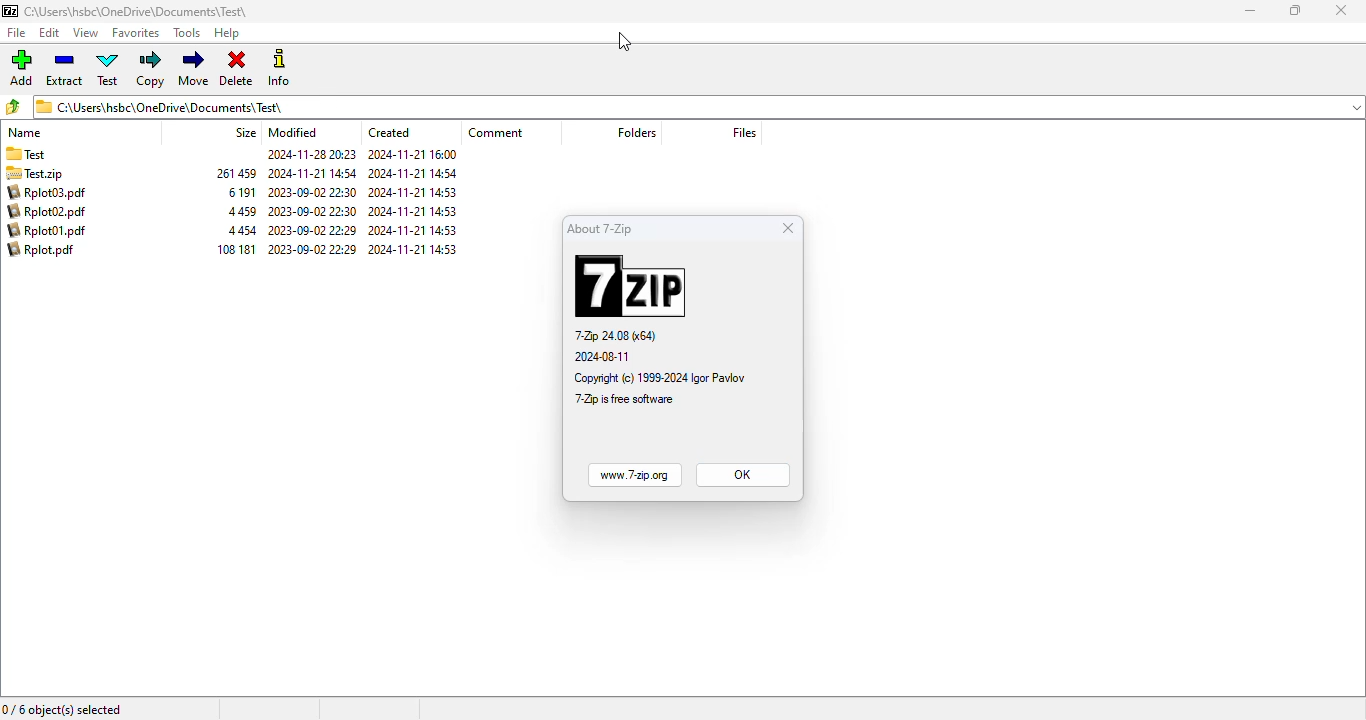  I want to click on 2023-09-02 22:30, so click(314, 211).